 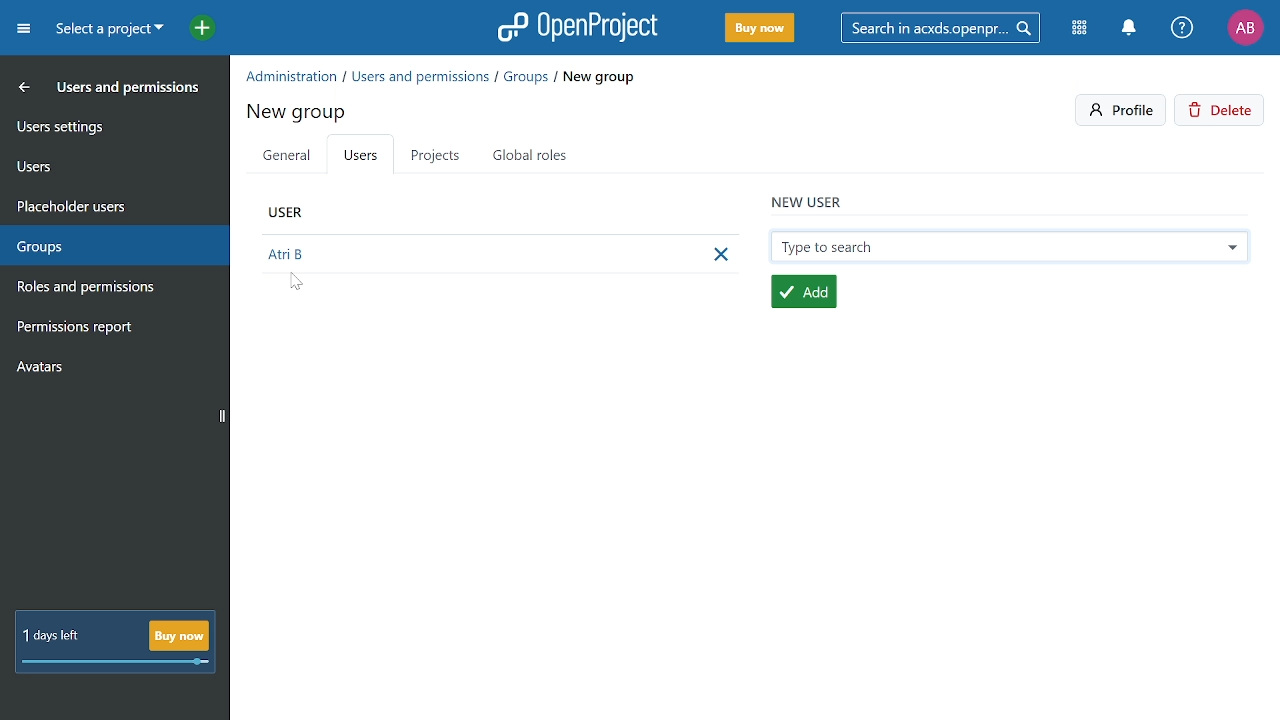 I want to click on Users, so click(x=362, y=157).